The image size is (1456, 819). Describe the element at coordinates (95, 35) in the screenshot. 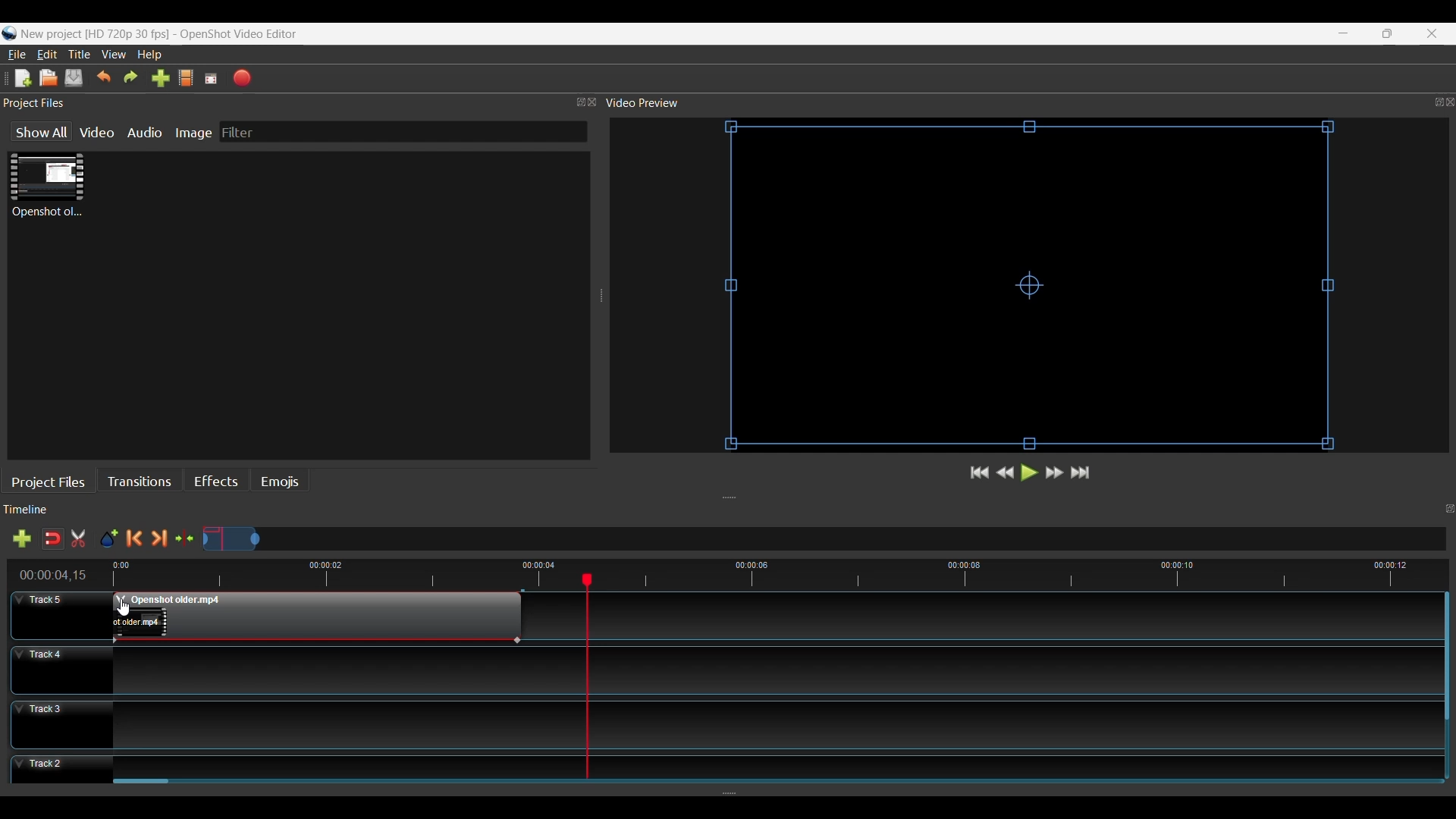

I see `Project Name` at that location.